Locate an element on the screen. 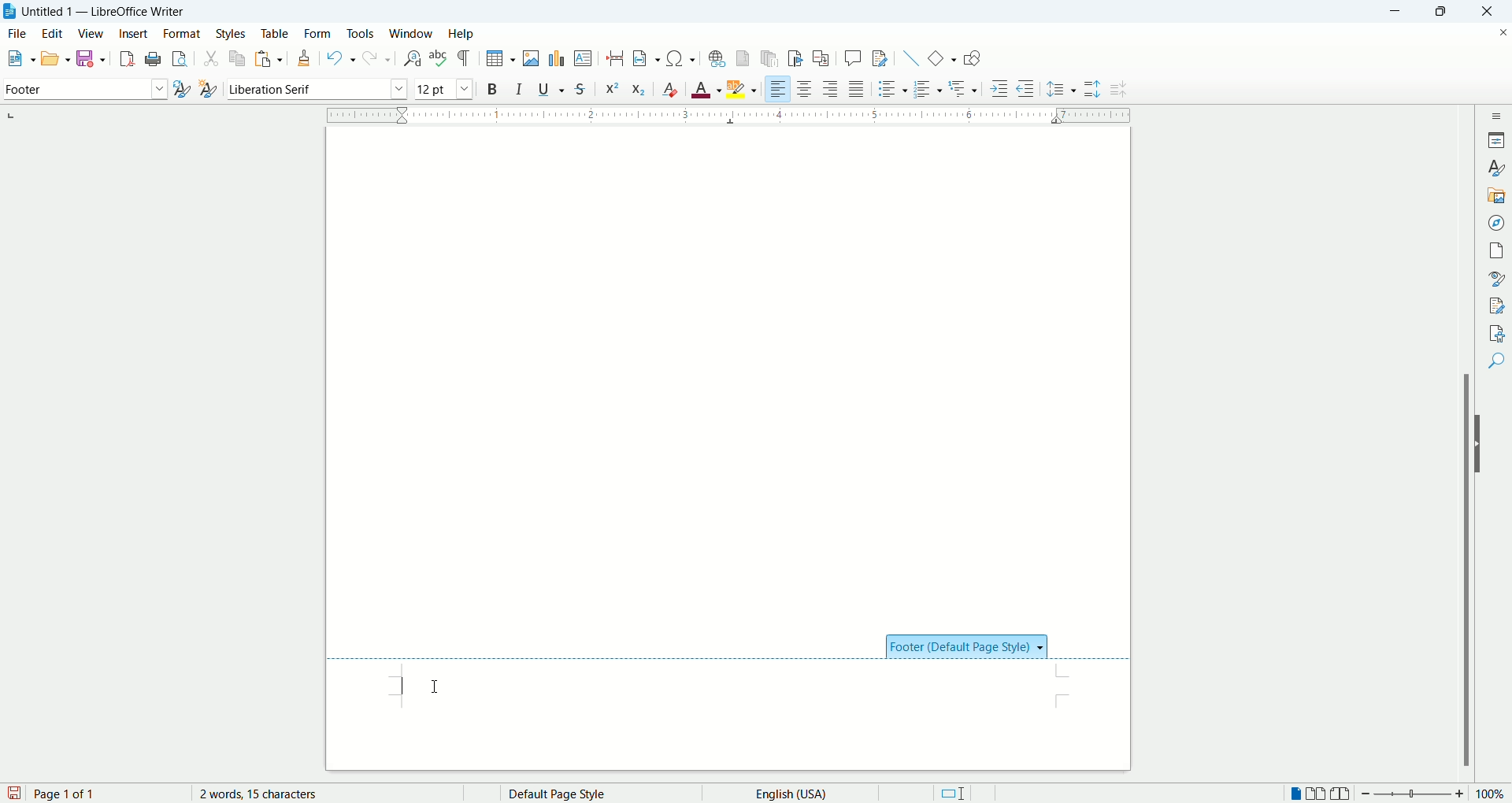 The width and height of the screenshot is (1512, 803). style inspector is located at coordinates (1499, 279).